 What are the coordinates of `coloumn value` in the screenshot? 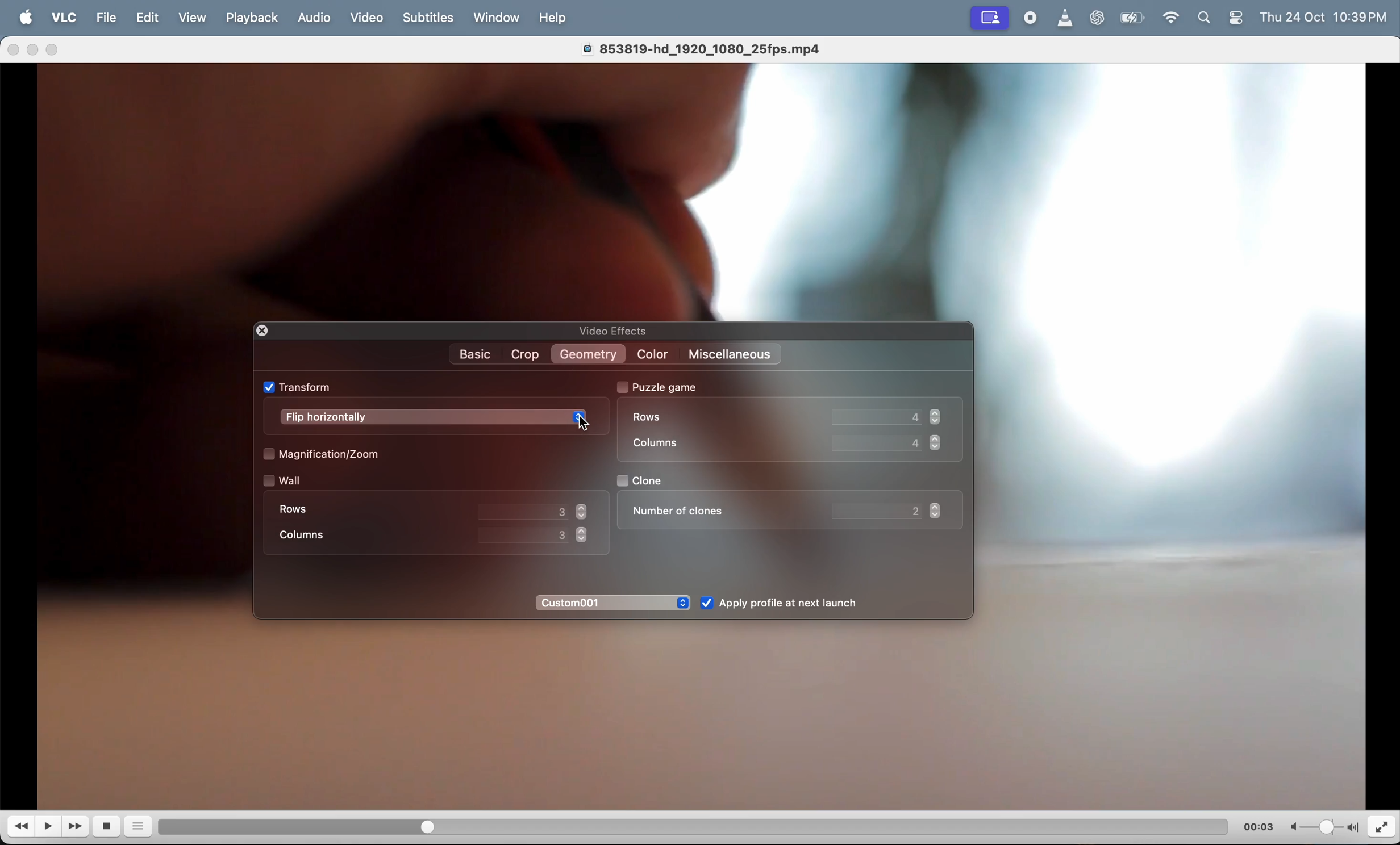 It's located at (892, 442).